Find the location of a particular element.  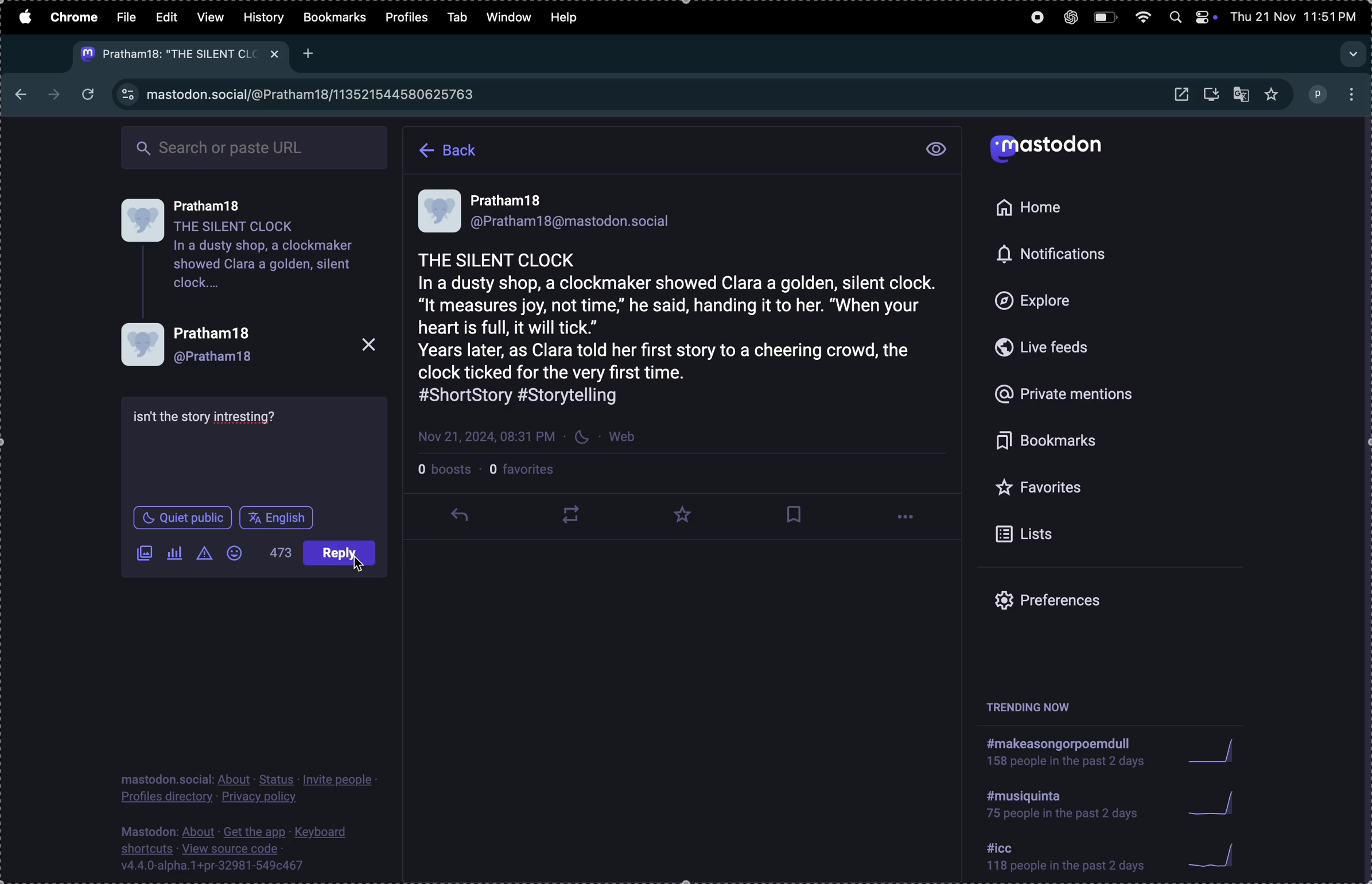

favourites is located at coordinates (687, 514).